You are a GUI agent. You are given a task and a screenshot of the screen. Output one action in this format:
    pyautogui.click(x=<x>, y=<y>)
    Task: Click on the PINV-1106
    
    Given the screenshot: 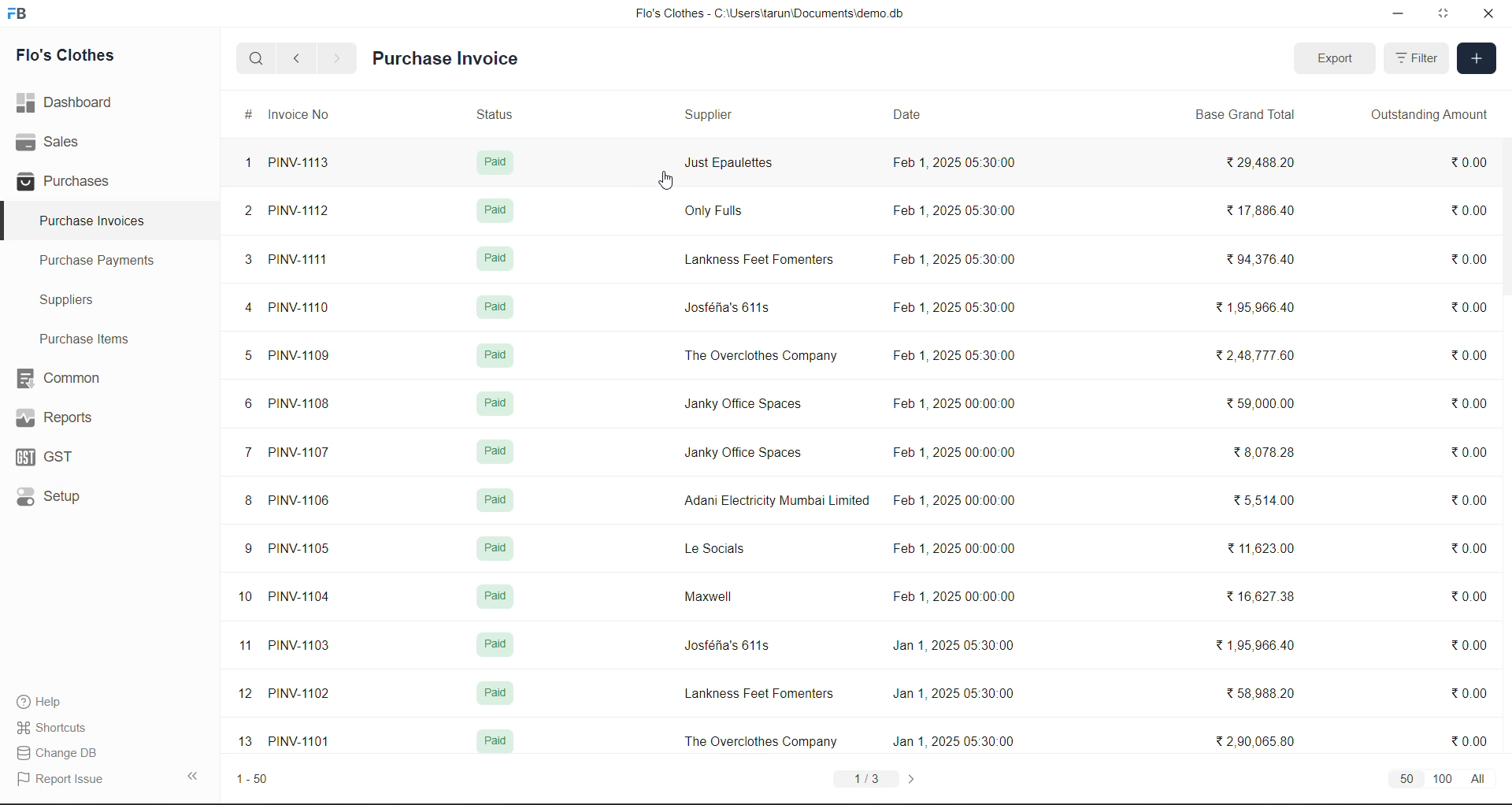 What is the action you would take?
    pyautogui.click(x=306, y=499)
    